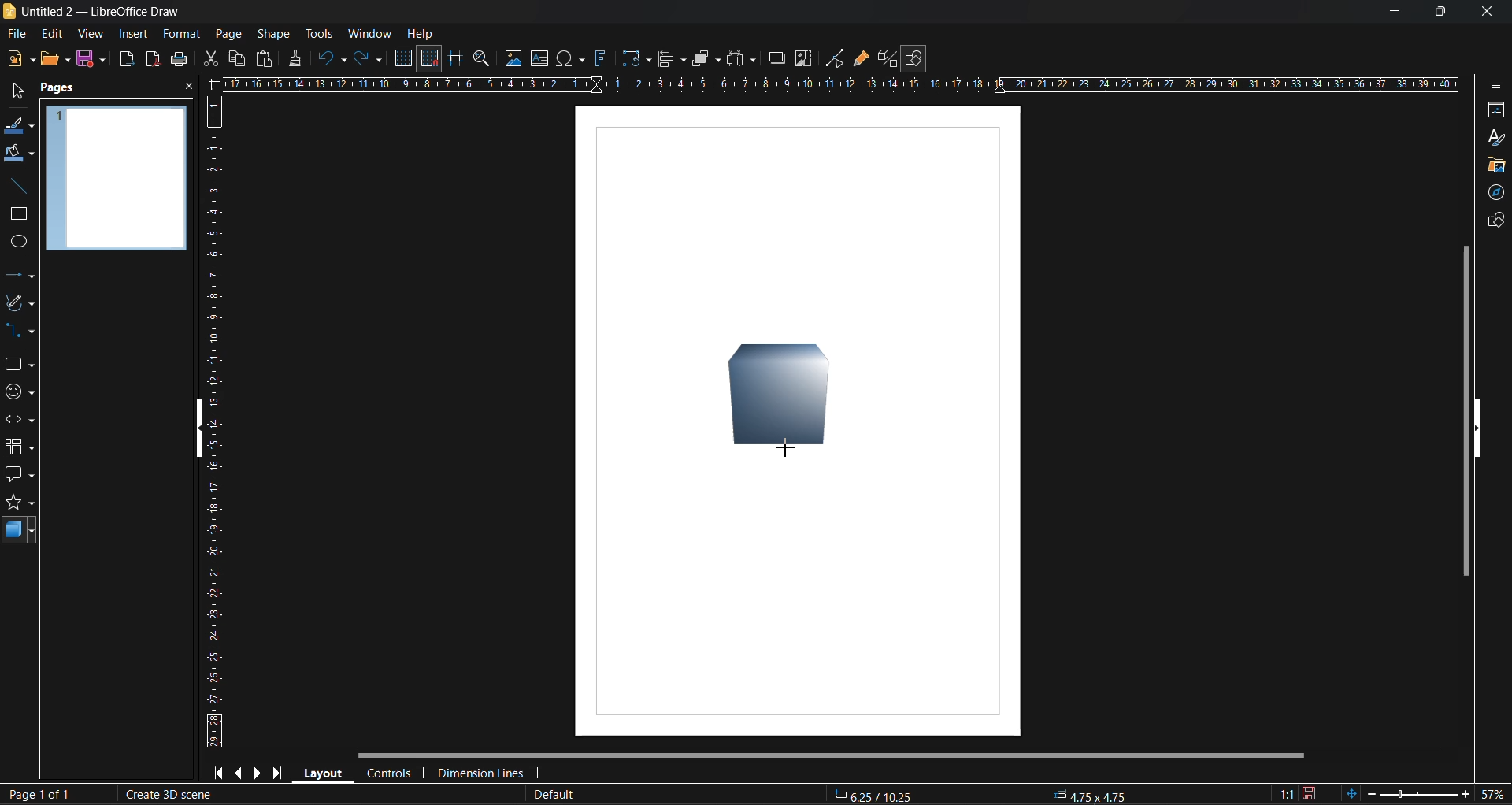  What do you see at coordinates (638, 59) in the screenshot?
I see `transformations` at bounding box center [638, 59].